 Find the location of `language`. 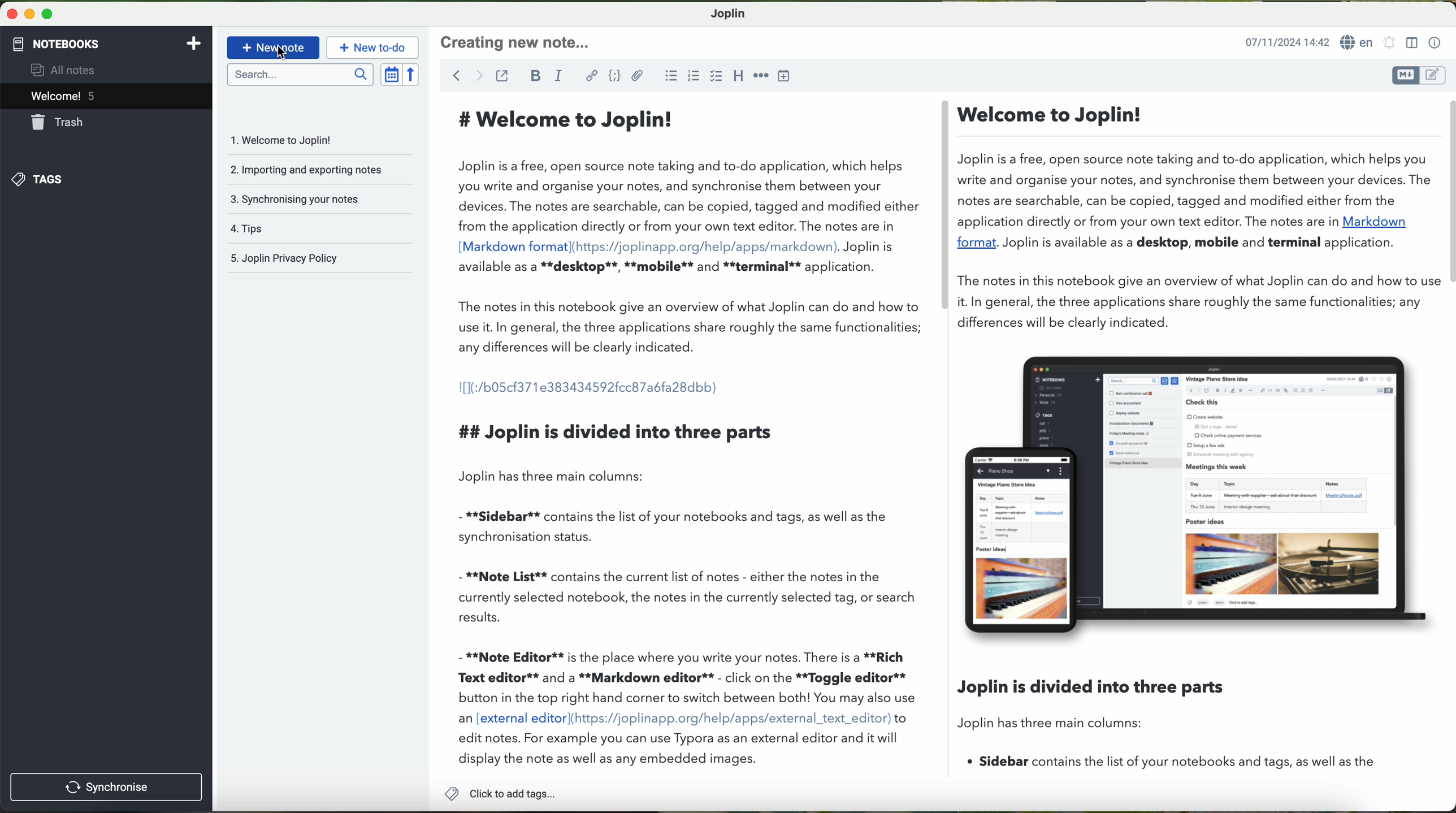

language is located at coordinates (1359, 42).